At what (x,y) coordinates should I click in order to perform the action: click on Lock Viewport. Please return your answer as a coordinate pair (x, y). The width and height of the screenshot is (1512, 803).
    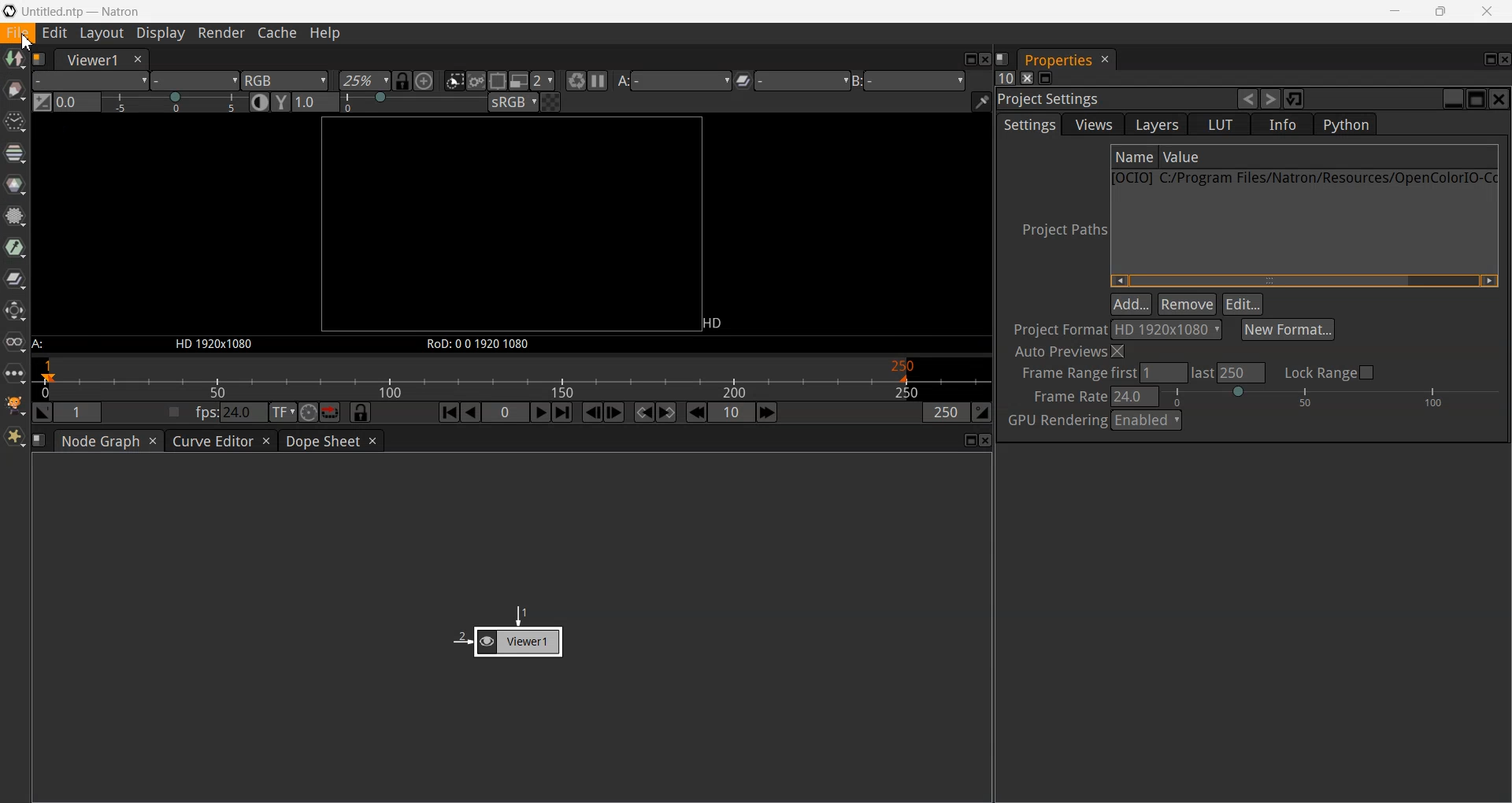
    Looking at the image, I should click on (403, 81).